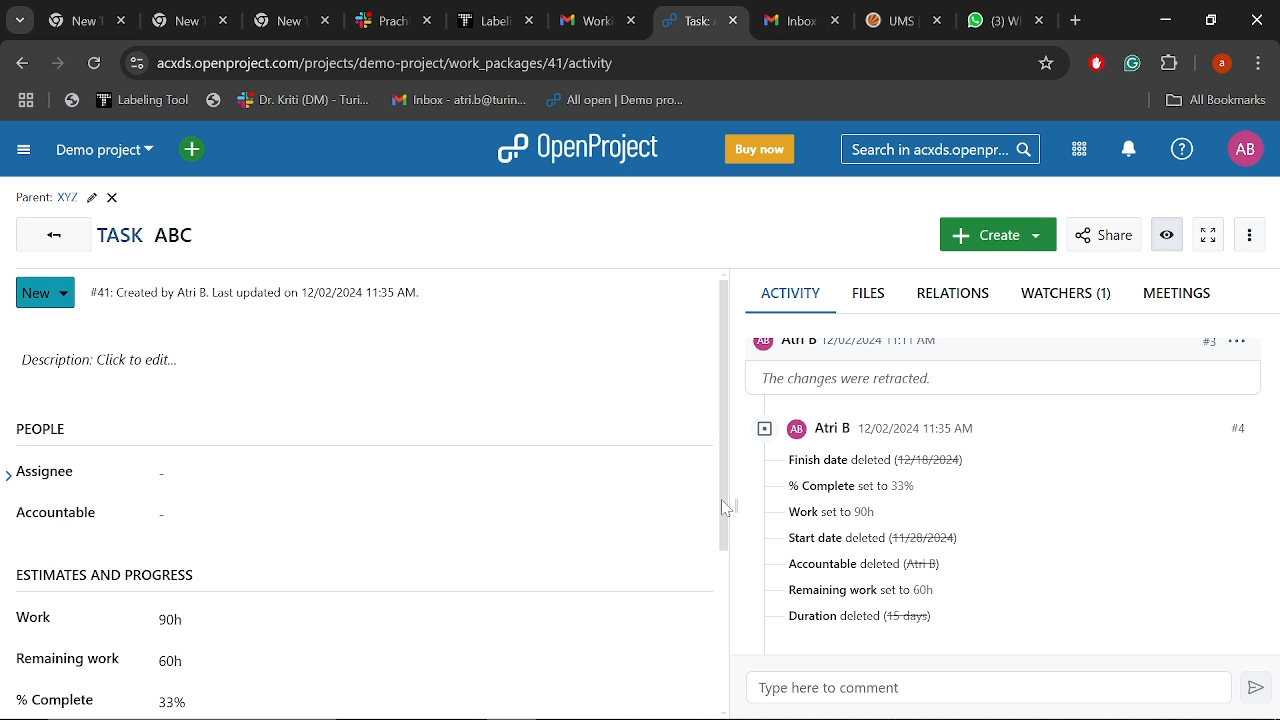  Describe the element at coordinates (110, 576) in the screenshot. I see `estimates and progress` at that location.